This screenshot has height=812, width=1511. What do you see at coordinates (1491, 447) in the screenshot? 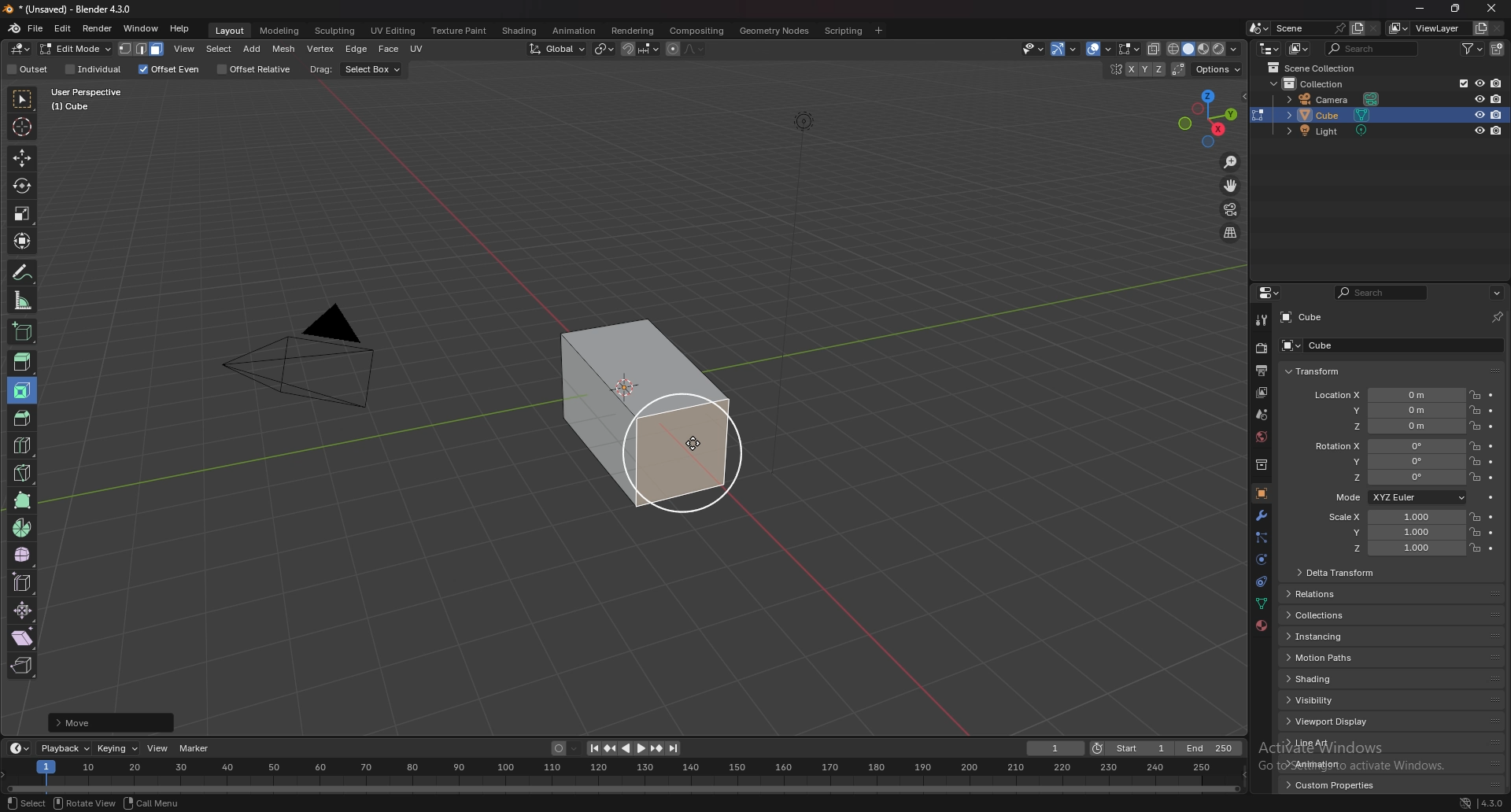
I see `animate property` at bounding box center [1491, 447].